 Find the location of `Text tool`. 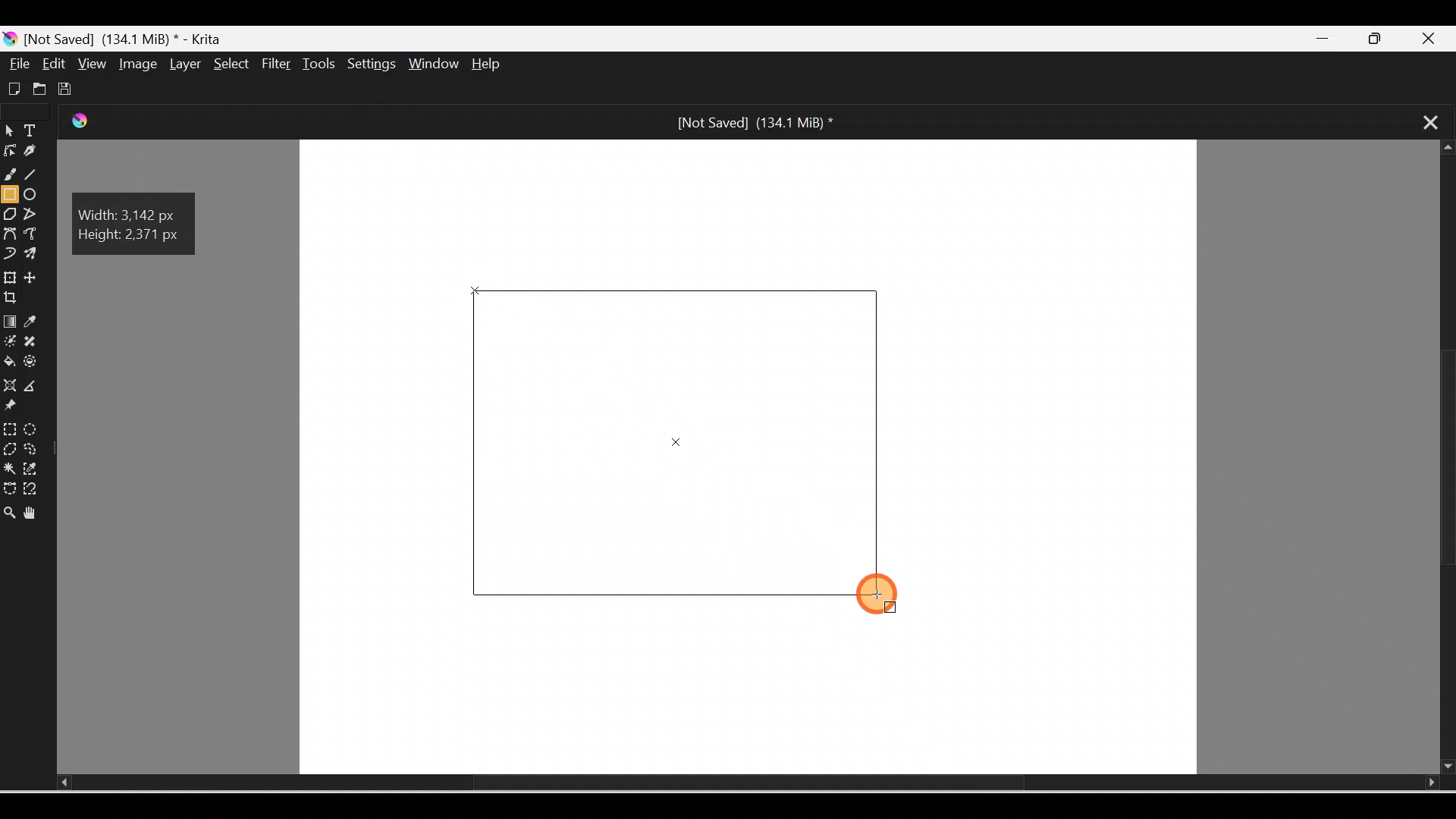

Text tool is located at coordinates (33, 132).